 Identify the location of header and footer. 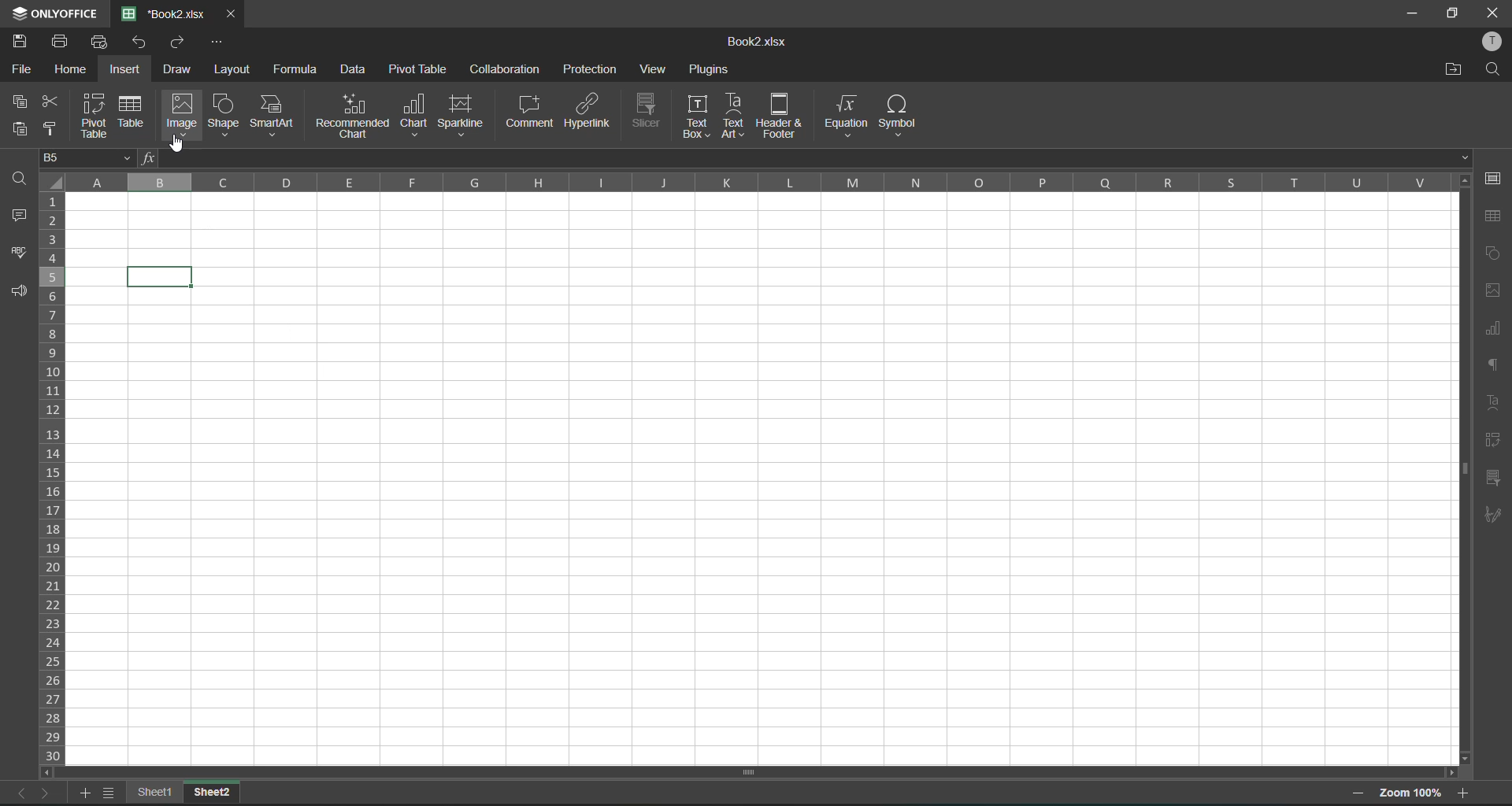
(777, 116).